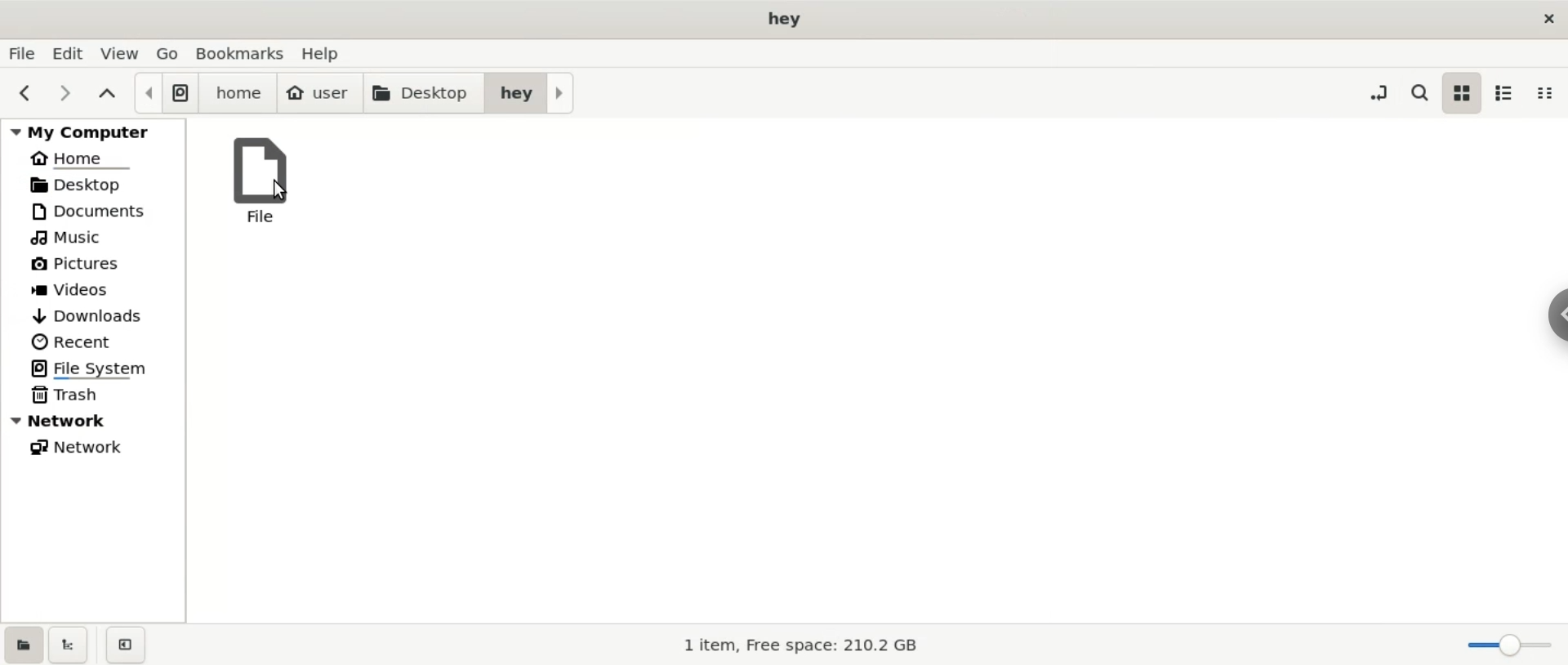 The image size is (1568, 665). What do you see at coordinates (242, 53) in the screenshot?
I see `bookmark` at bounding box center [242, 53].